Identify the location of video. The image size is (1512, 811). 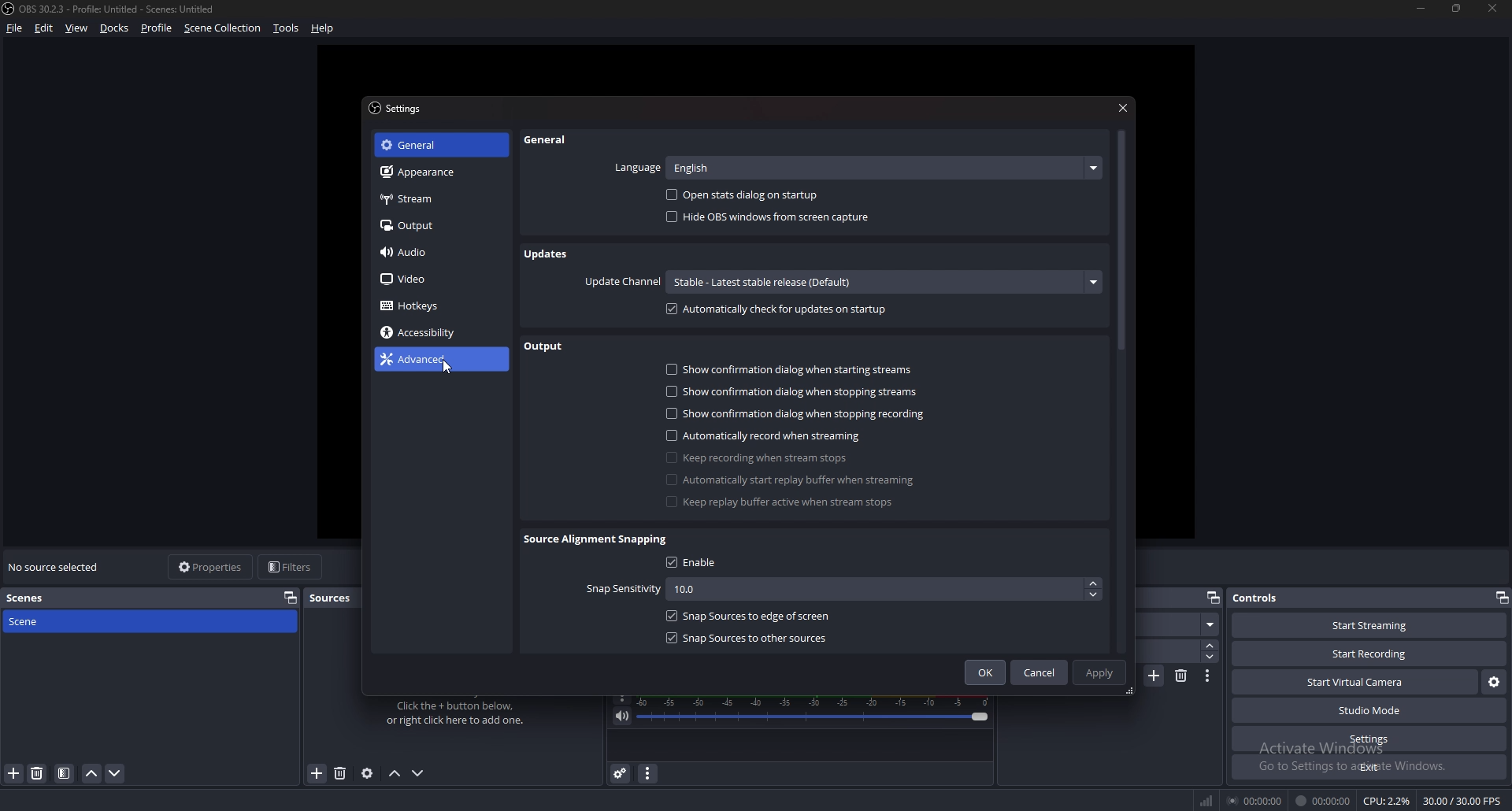
(430, 280).